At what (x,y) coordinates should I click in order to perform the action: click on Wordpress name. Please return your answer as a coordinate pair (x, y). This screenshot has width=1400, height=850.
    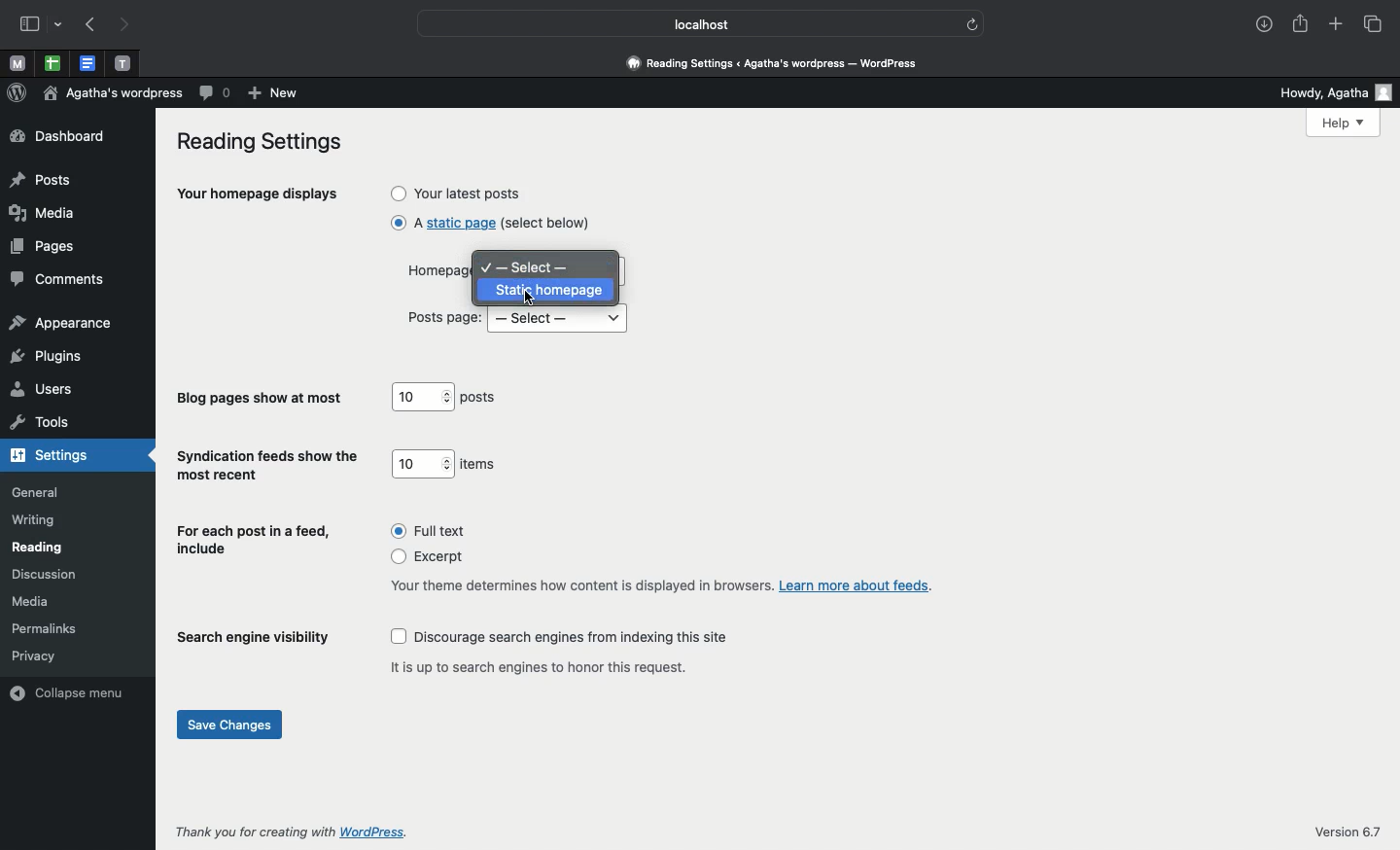
    Looking at the image, I should click on (115, 92).